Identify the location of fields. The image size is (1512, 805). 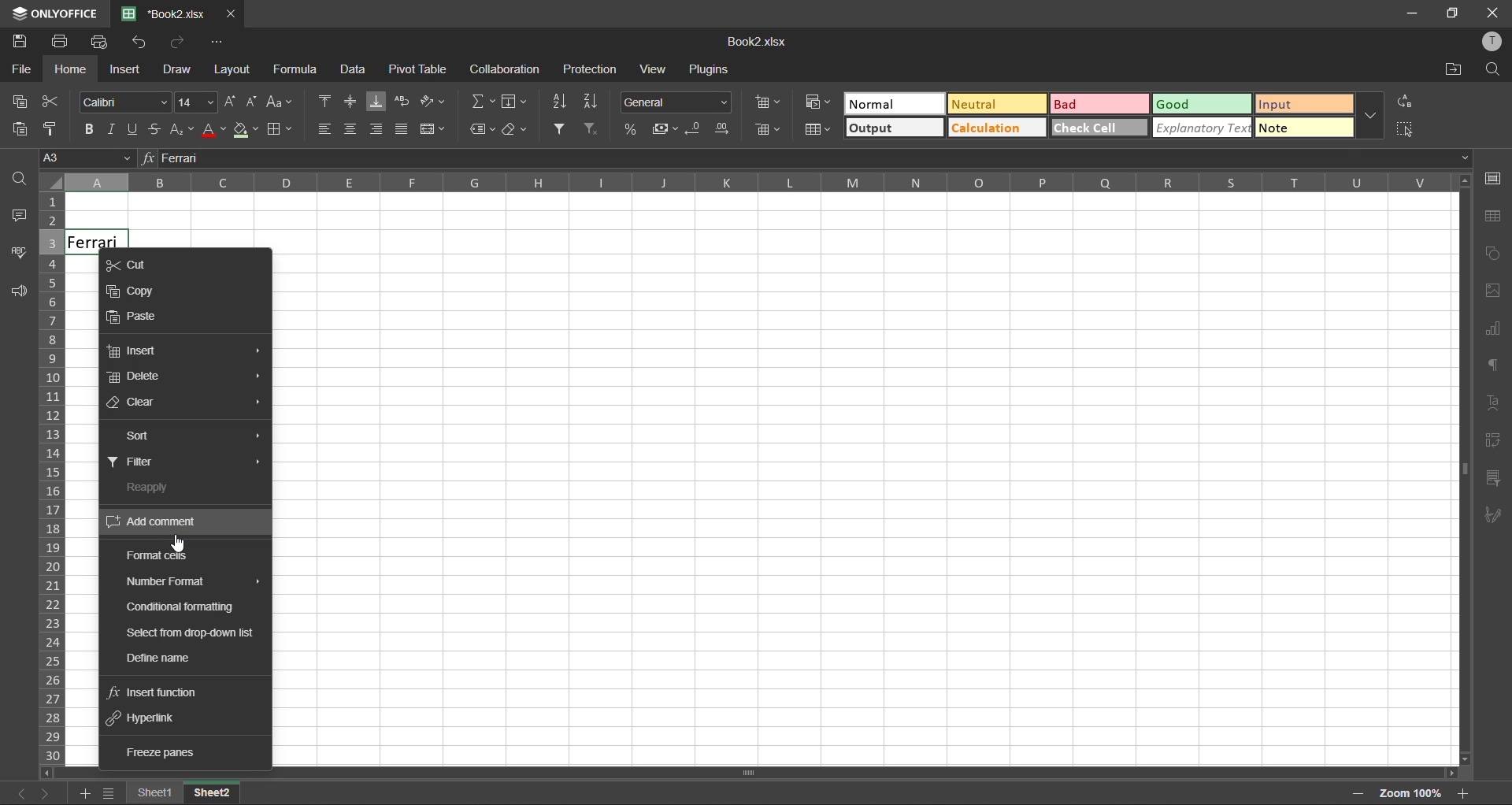
(518, 99).